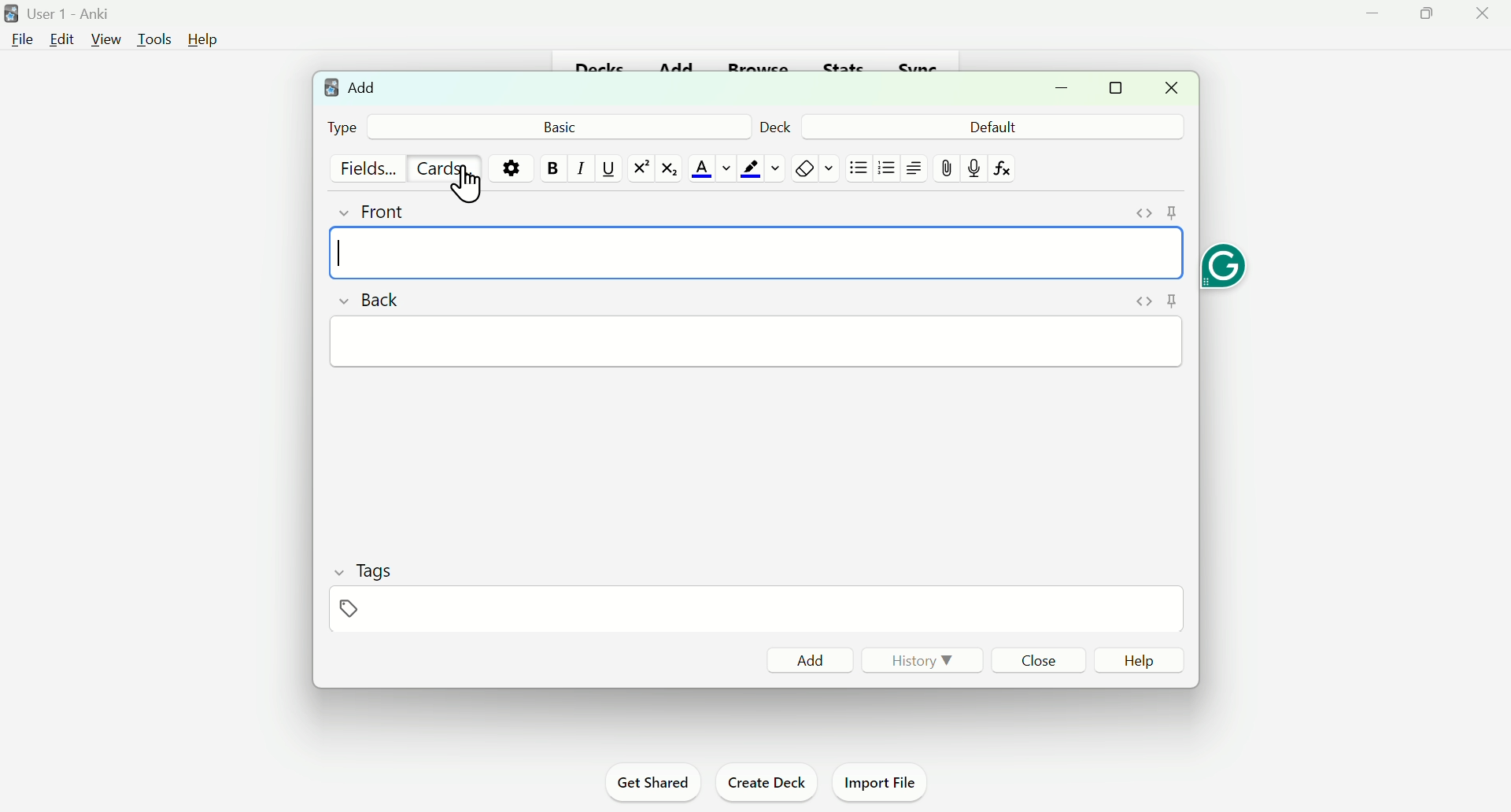  I want to click on User 1 - Anki, so click(82, 12).